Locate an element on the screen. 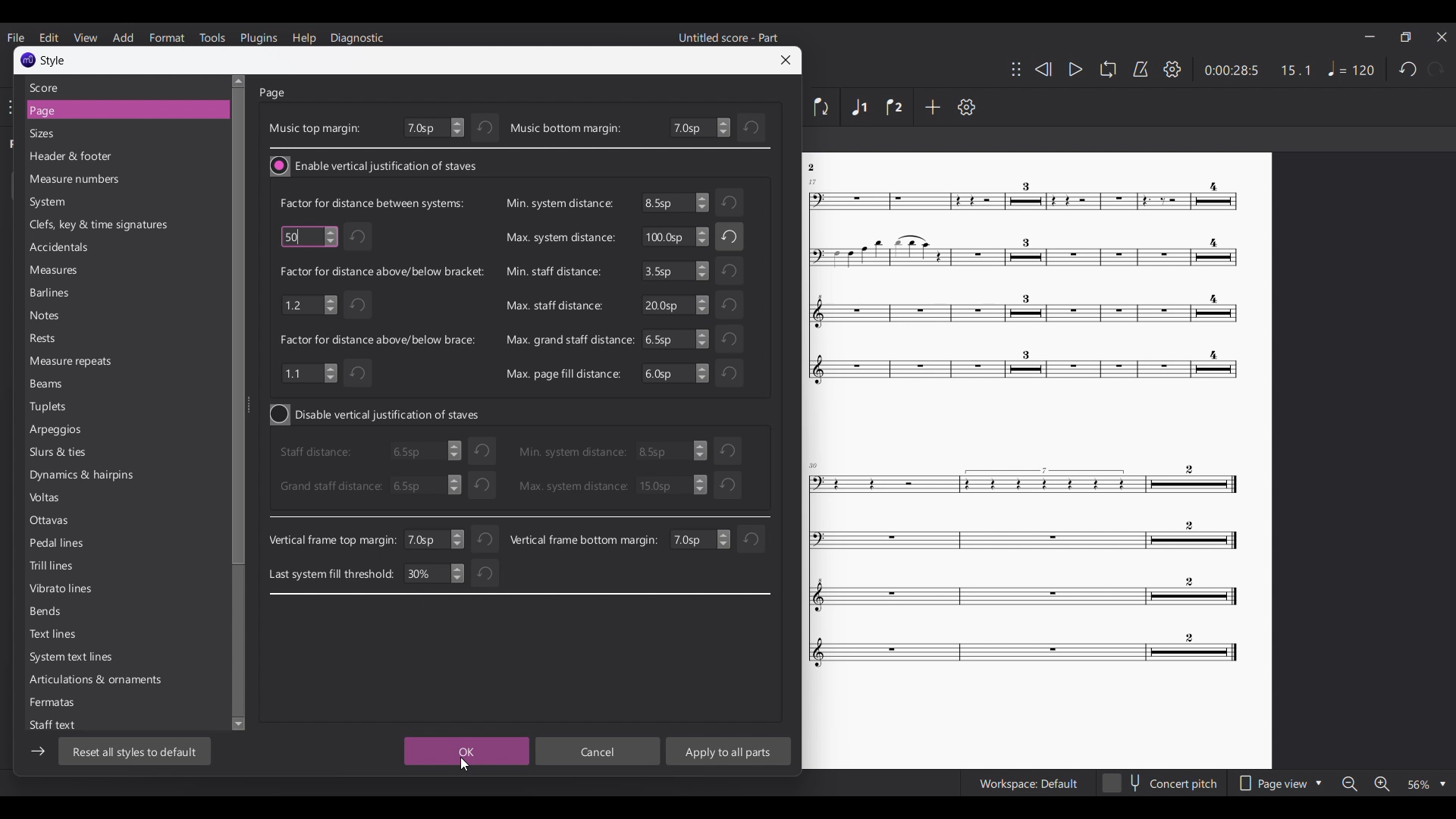 This screenshot has width=1456, height=819. 50 is located at coordinates (308, 235).